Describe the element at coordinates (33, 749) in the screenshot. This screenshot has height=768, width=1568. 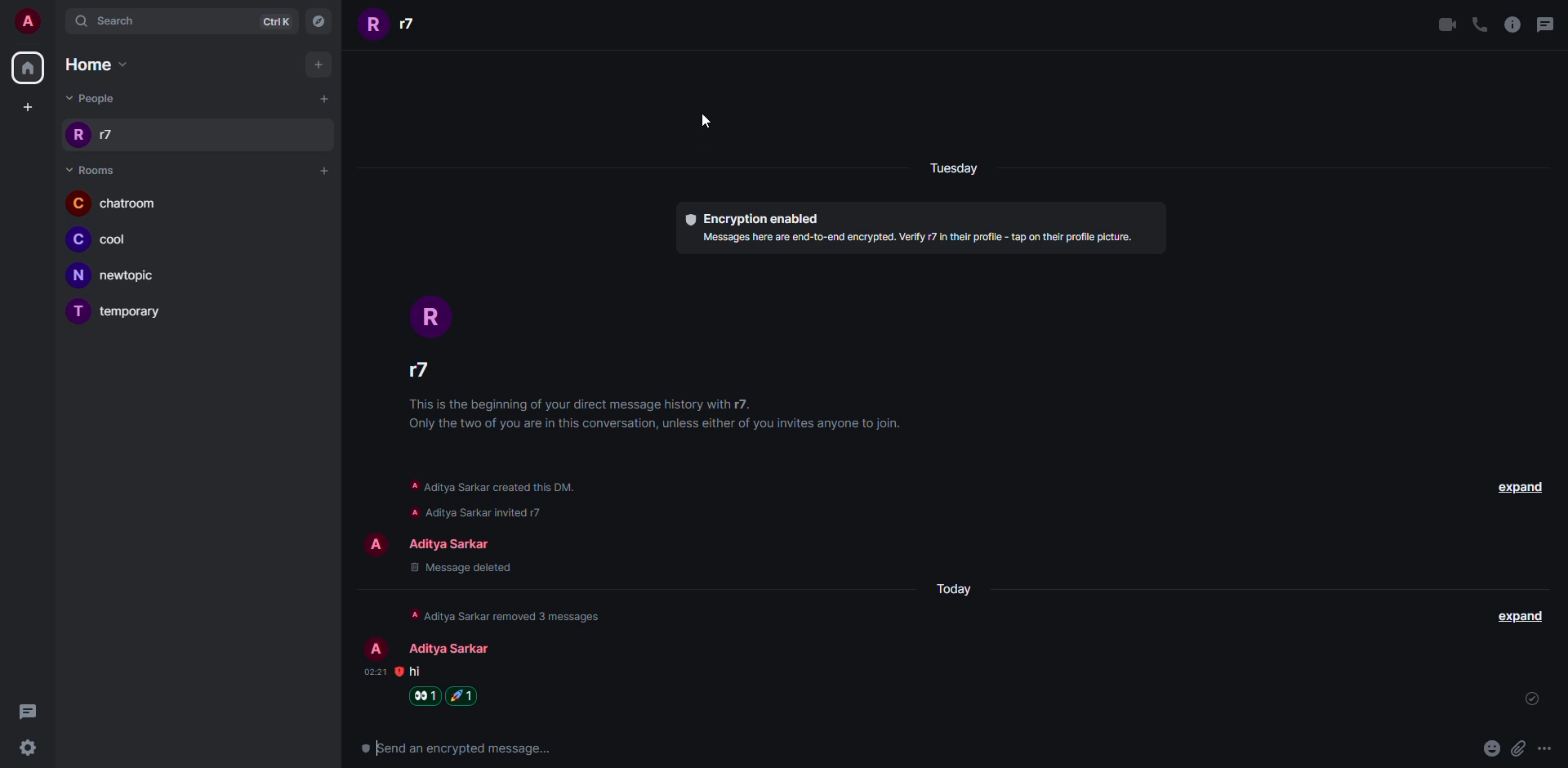
I see `Settings` at that location.